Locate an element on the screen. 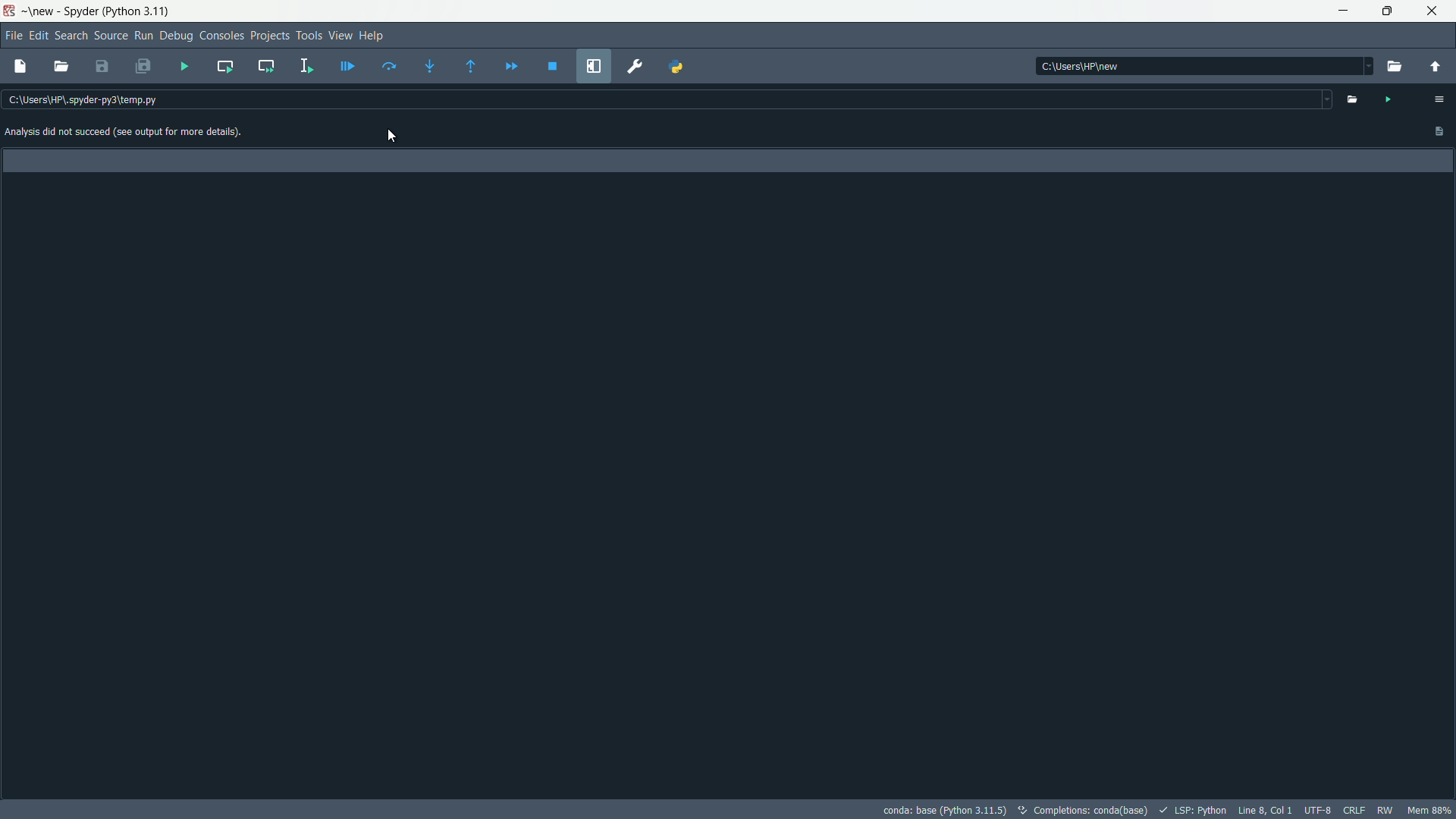 The height and width of the screenshot is (819, 1456). new file is located at coordinates (20, 67).